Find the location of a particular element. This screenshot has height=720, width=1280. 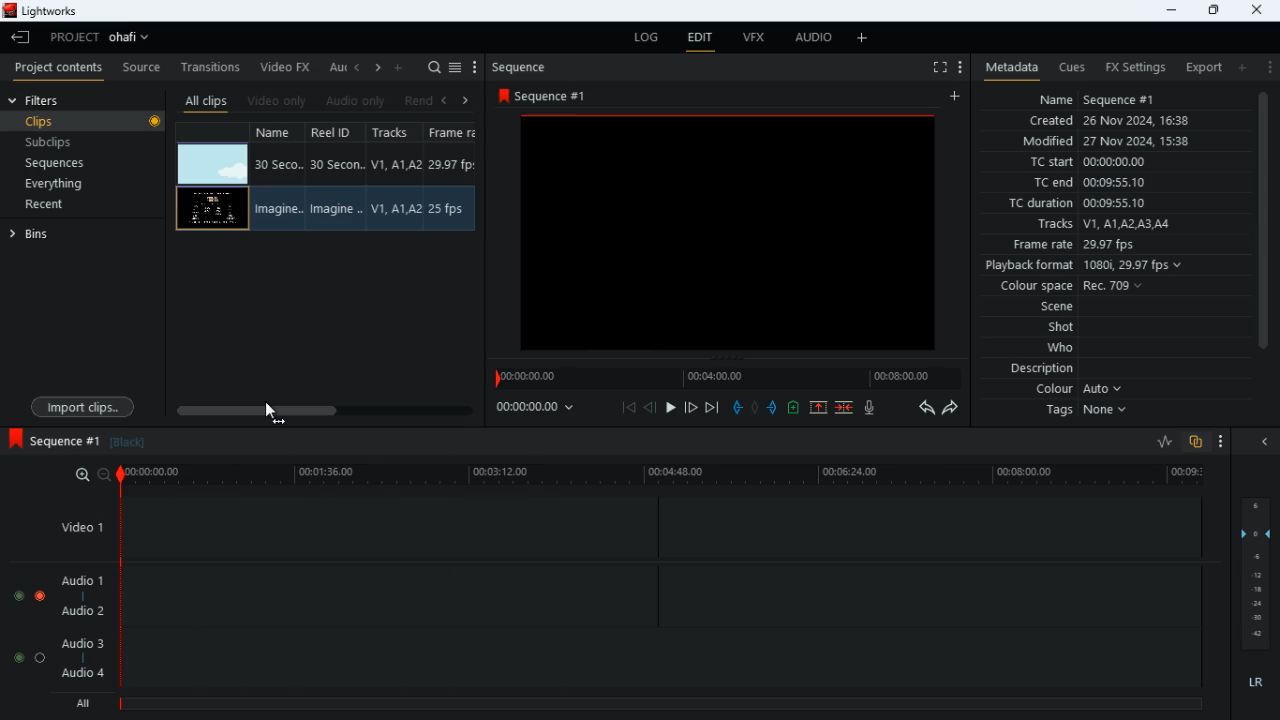

more is located at coordinates (960, 65).